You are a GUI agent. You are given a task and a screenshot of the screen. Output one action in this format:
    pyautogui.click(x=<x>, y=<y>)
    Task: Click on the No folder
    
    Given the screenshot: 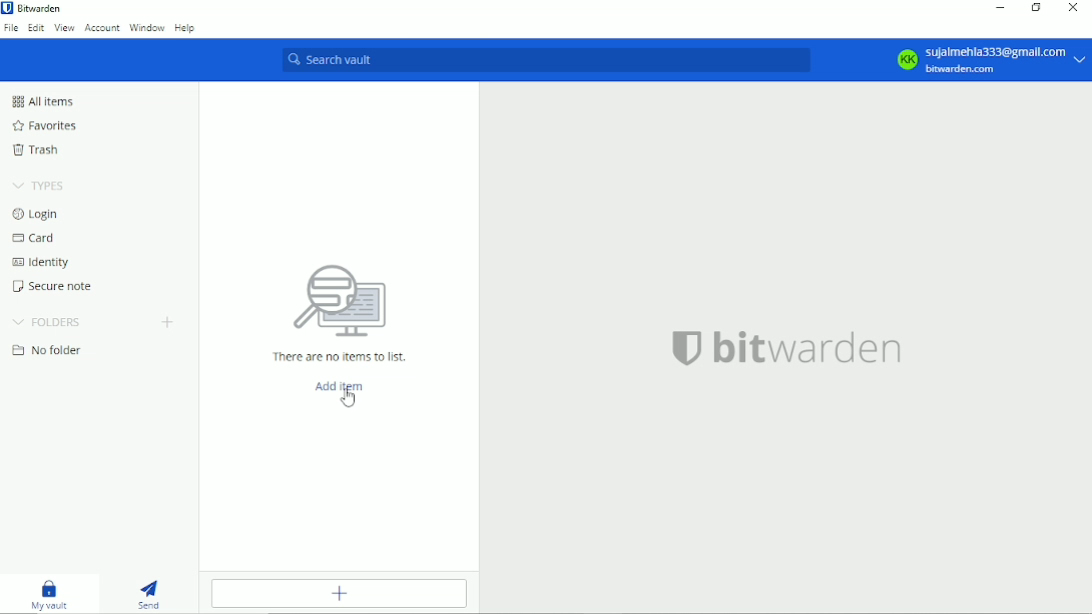 What is the action you would take?
    pyautogui.click(x=49, y=350)
    